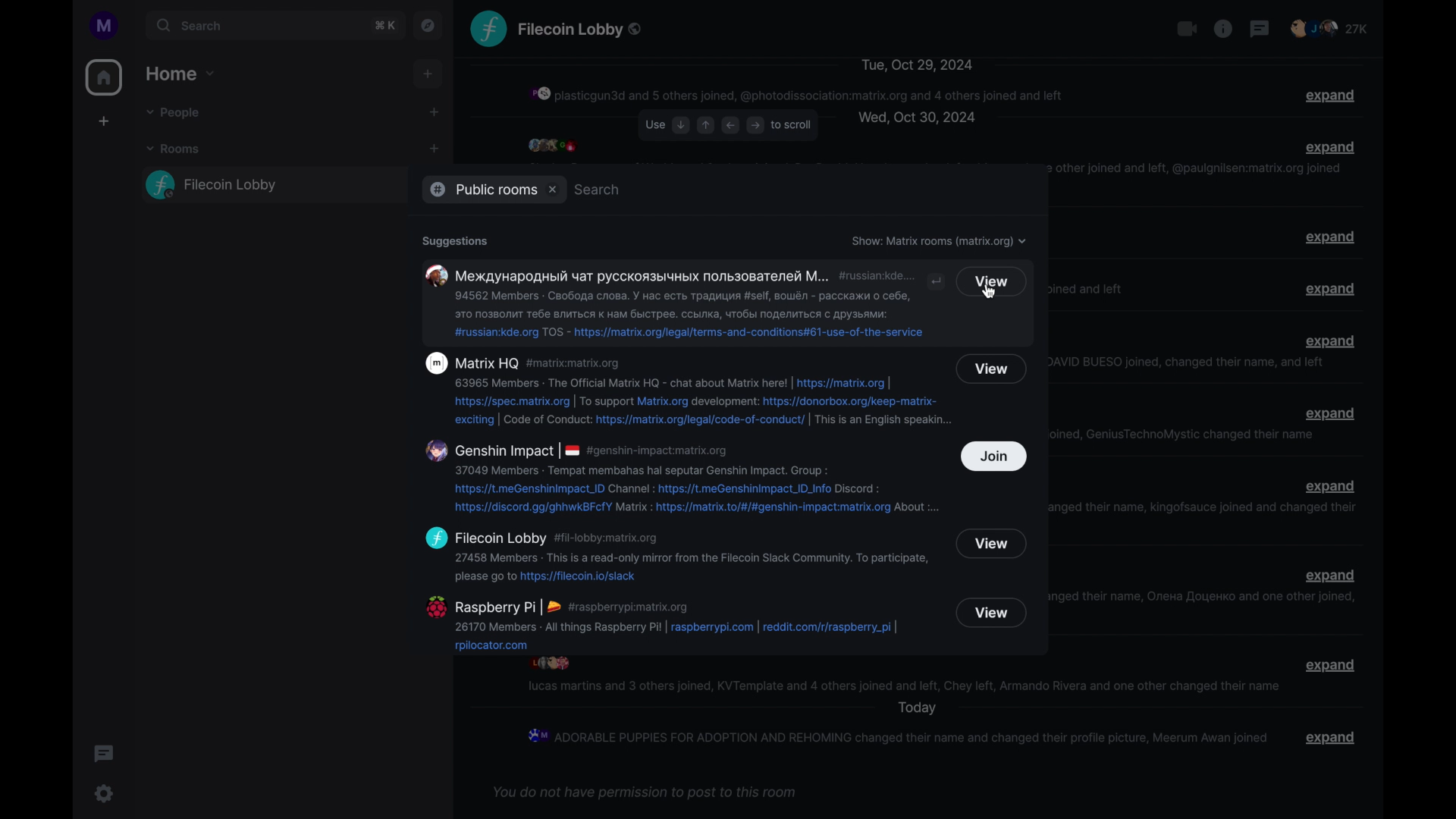 This screenshot has width=1456, height=819. What do you see at coordinates (454, 241) in the screenshot?
I see `suggestions` at bounding box center [454, 241].